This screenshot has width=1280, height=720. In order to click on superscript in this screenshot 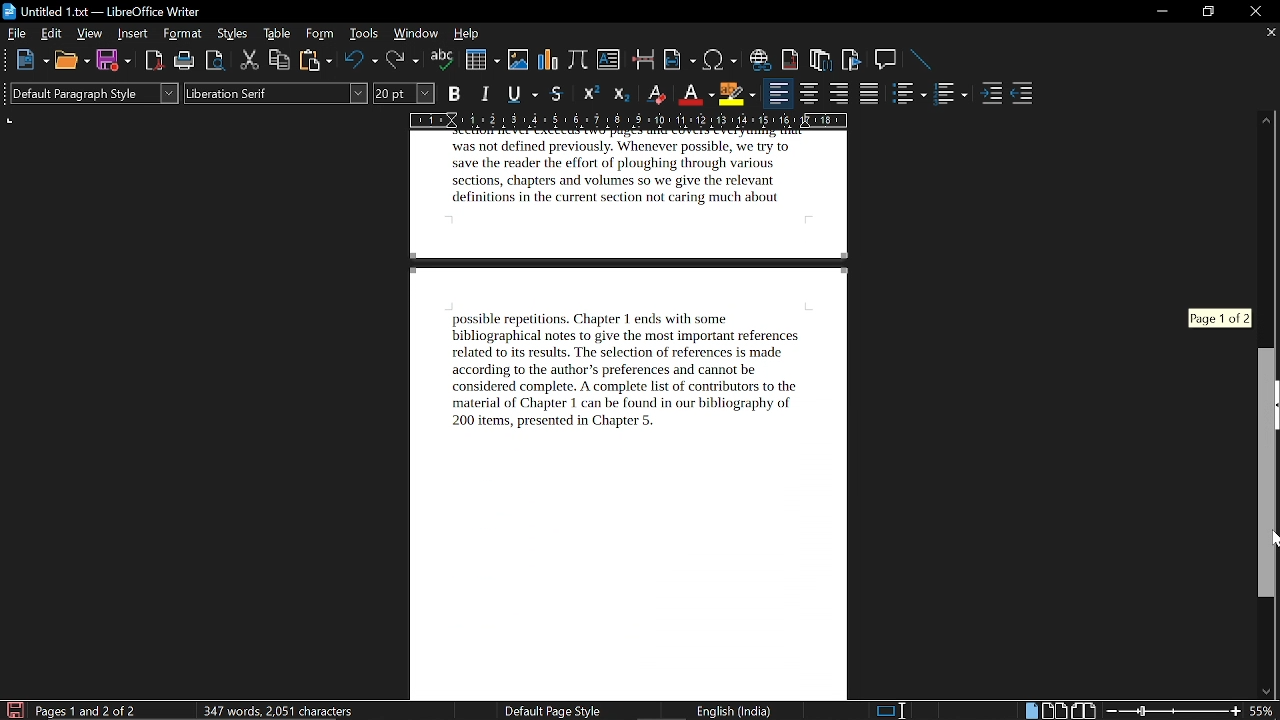, I will do `click(590, 95)`.